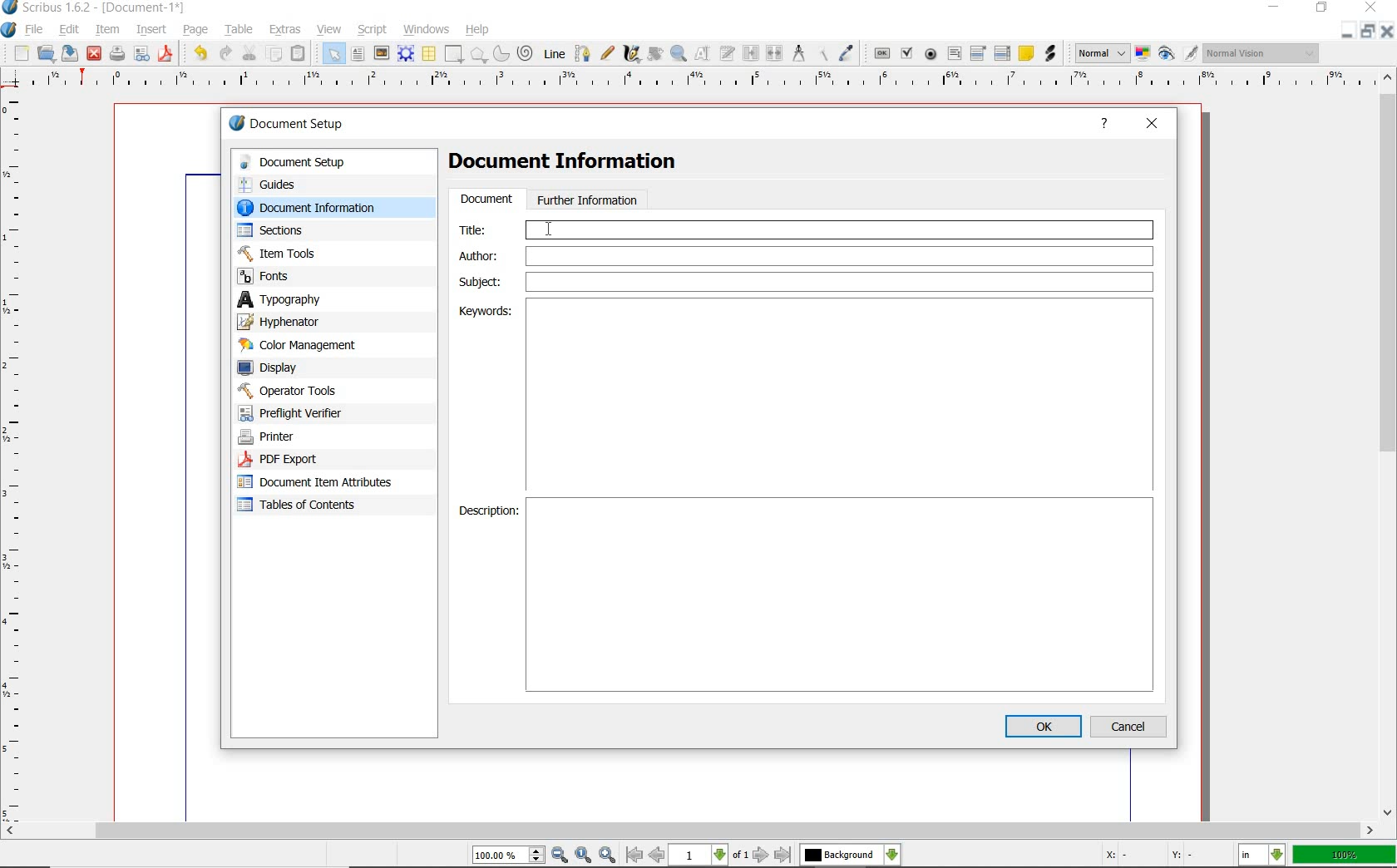 The height and width of the screenshot is (868, 1397). Describe the element at coordinates (775, 52) in the screenshot. I see `unlink text frames` at that location.